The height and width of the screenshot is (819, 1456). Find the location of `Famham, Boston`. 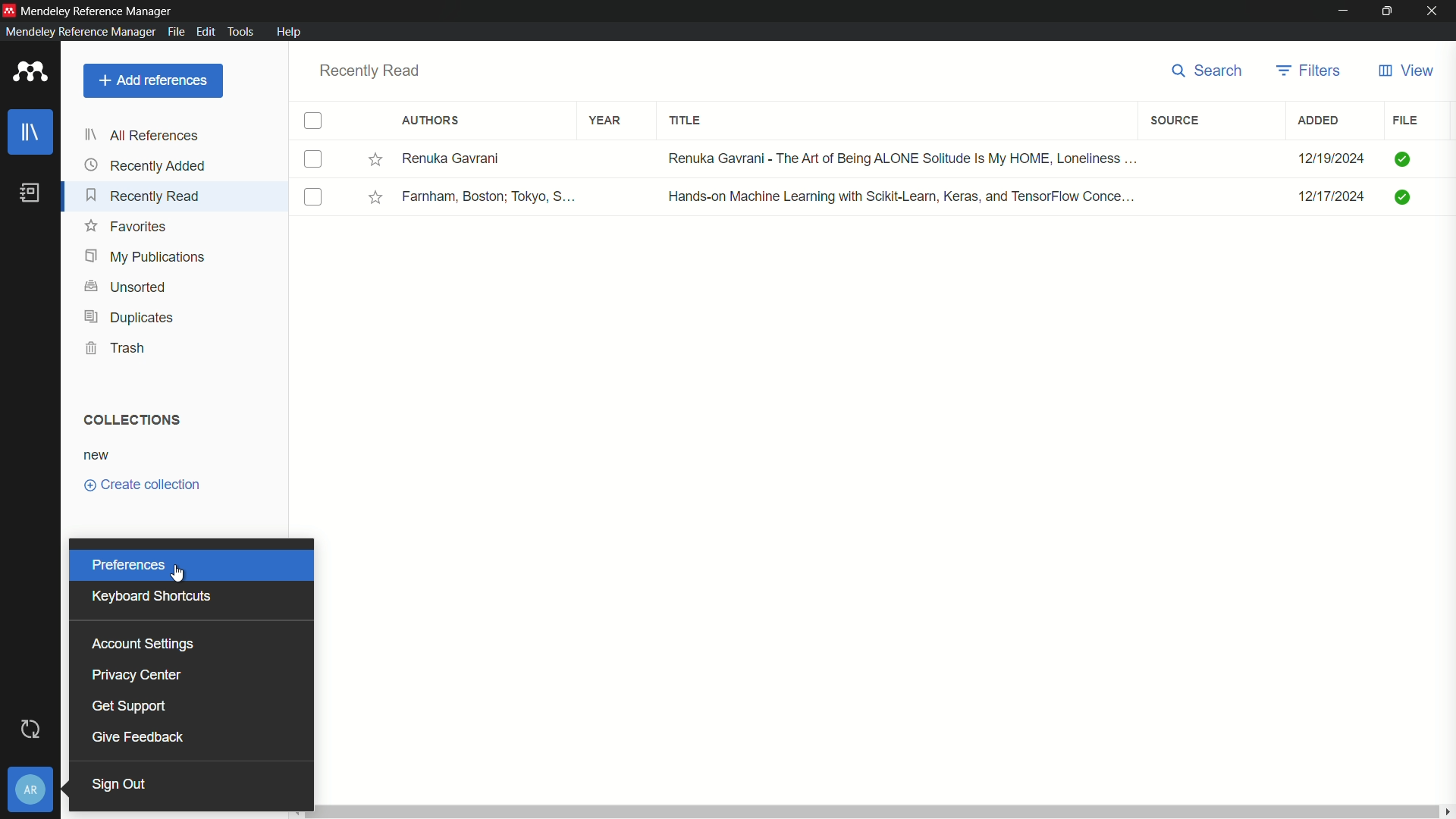

Famham, Boston is located at coordinates (488, 196).